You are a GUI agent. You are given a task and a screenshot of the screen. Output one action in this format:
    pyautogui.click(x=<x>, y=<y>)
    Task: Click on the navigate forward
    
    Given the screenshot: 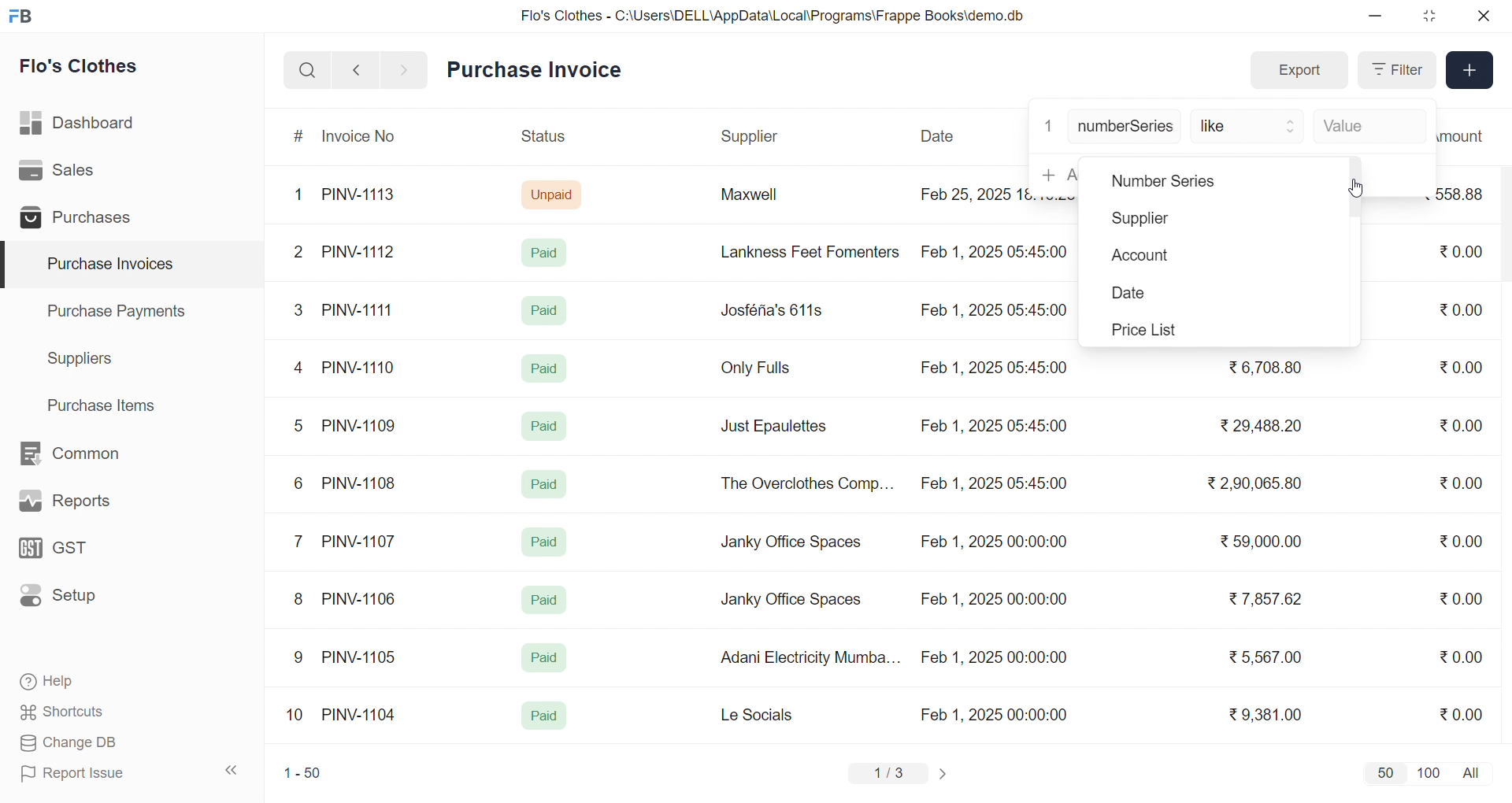 What is the action you would take?
    pyautogui.click(x=406, y=68)
    